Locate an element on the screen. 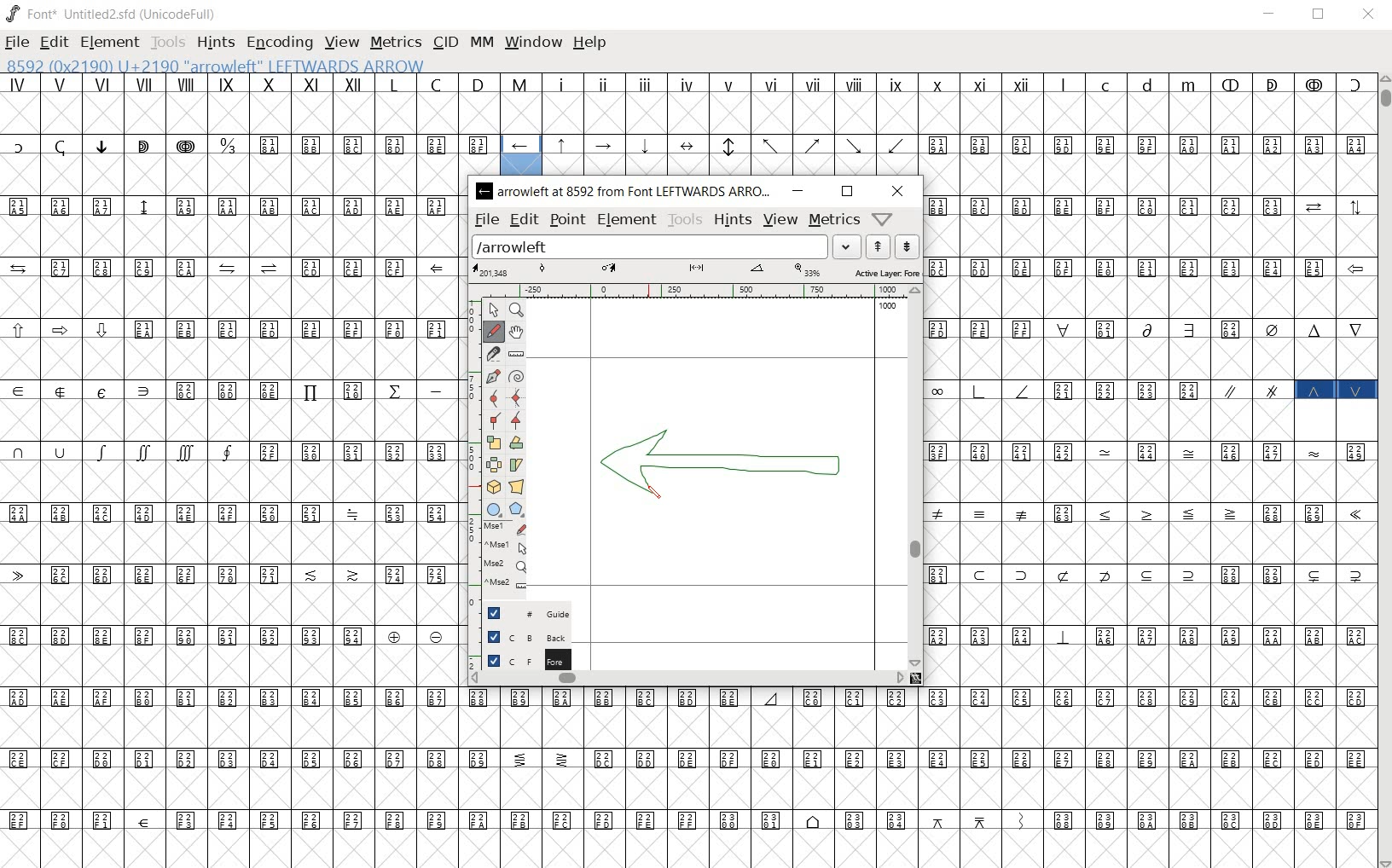 The height and width of the screenshot is (868, 1392). measure a distance, angle between points is located at coordinates (515, 356).